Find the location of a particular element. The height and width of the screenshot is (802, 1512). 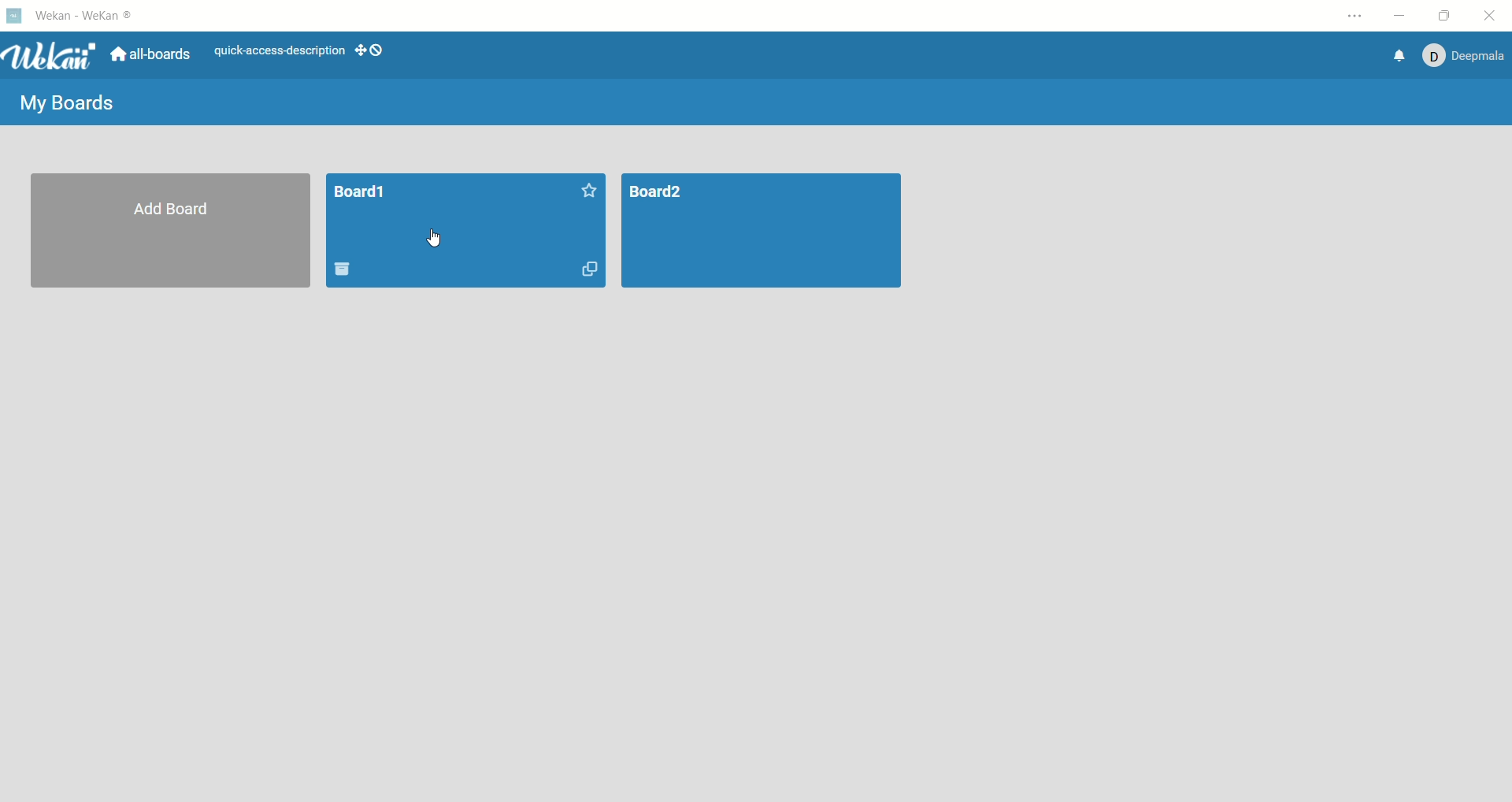

delete is located at coordinates (351, 269).